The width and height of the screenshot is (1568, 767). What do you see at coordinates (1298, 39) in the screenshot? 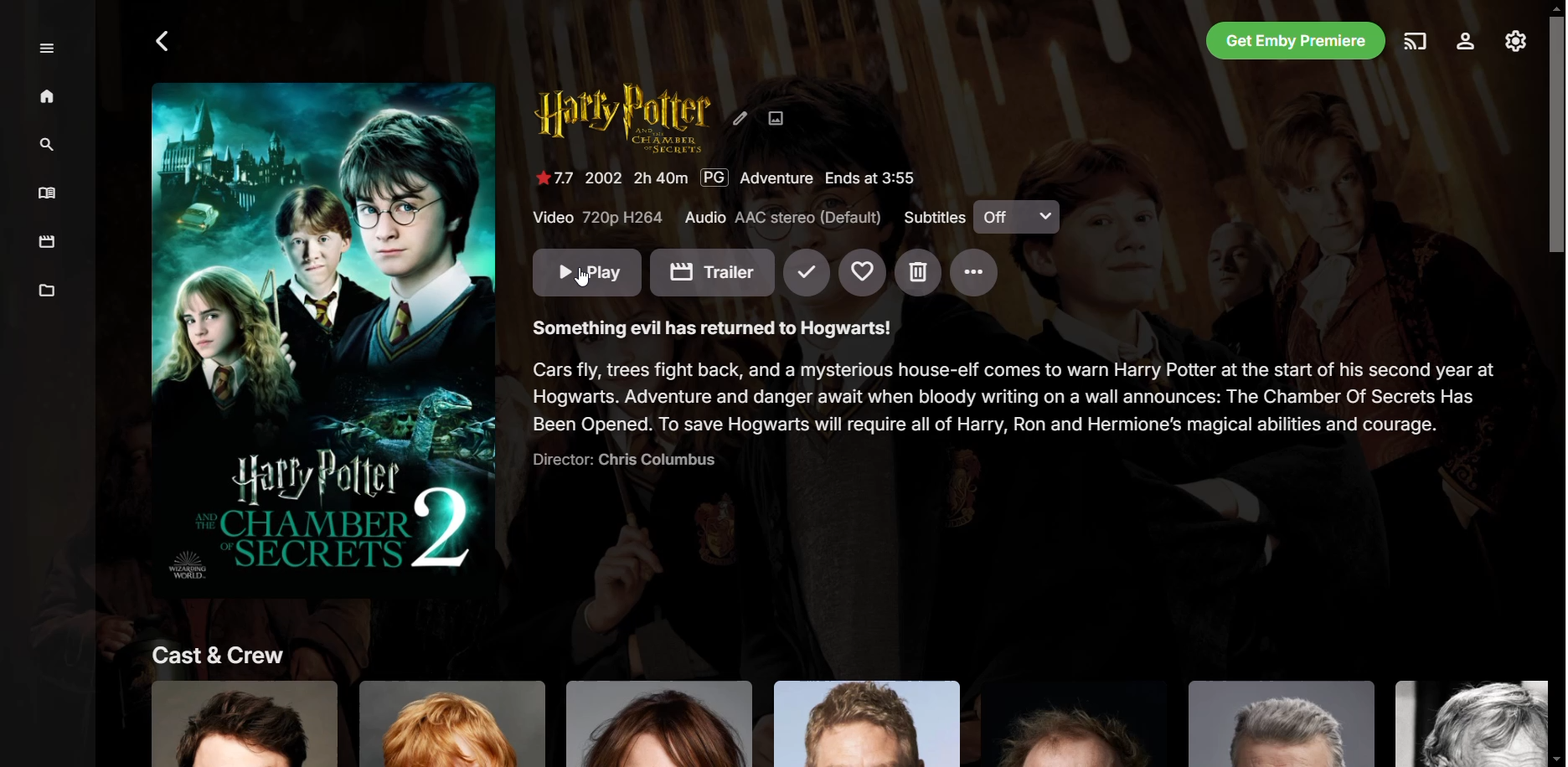
I see `Get Emby Premier` at bounding box center [1298, 39].